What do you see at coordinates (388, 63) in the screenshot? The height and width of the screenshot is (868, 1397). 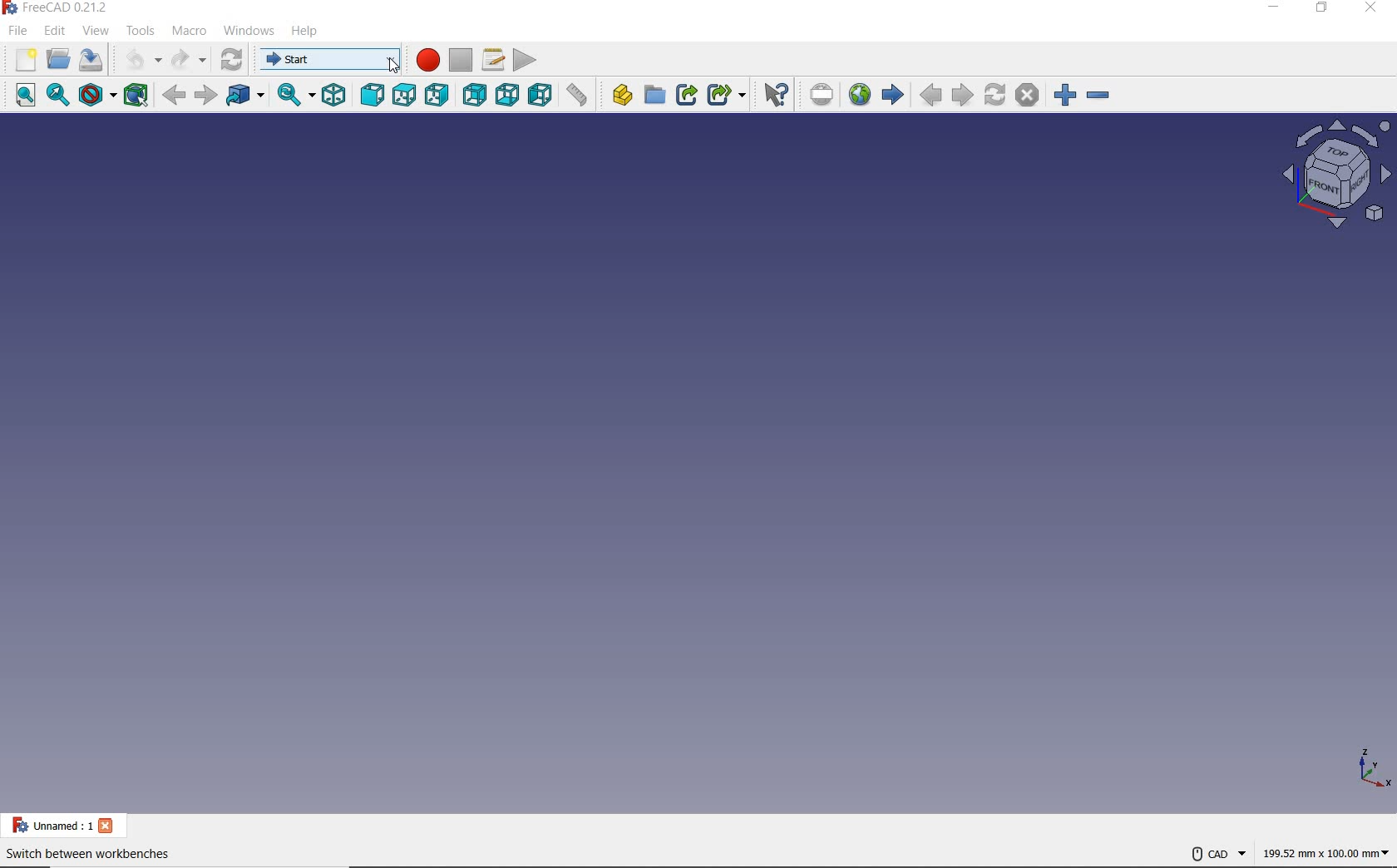 I see `cursor` at bounding box center [388, 63].